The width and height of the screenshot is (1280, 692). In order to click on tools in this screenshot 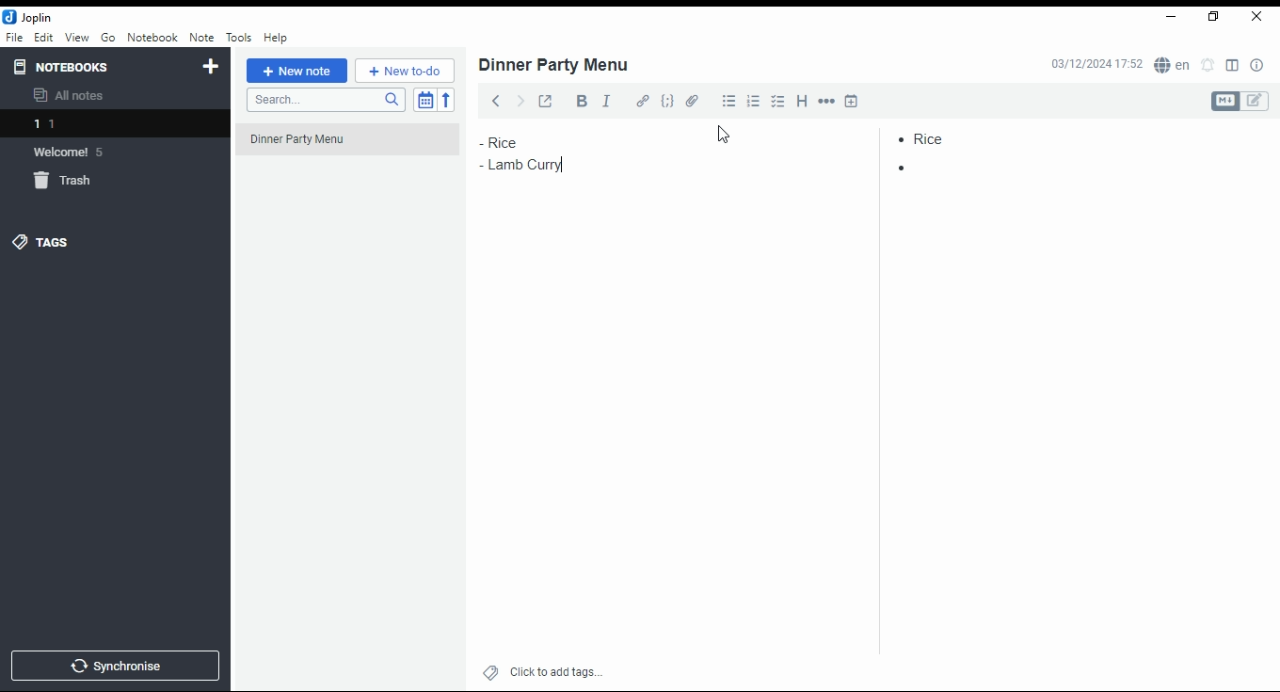, I will do `click(238, 36)`.